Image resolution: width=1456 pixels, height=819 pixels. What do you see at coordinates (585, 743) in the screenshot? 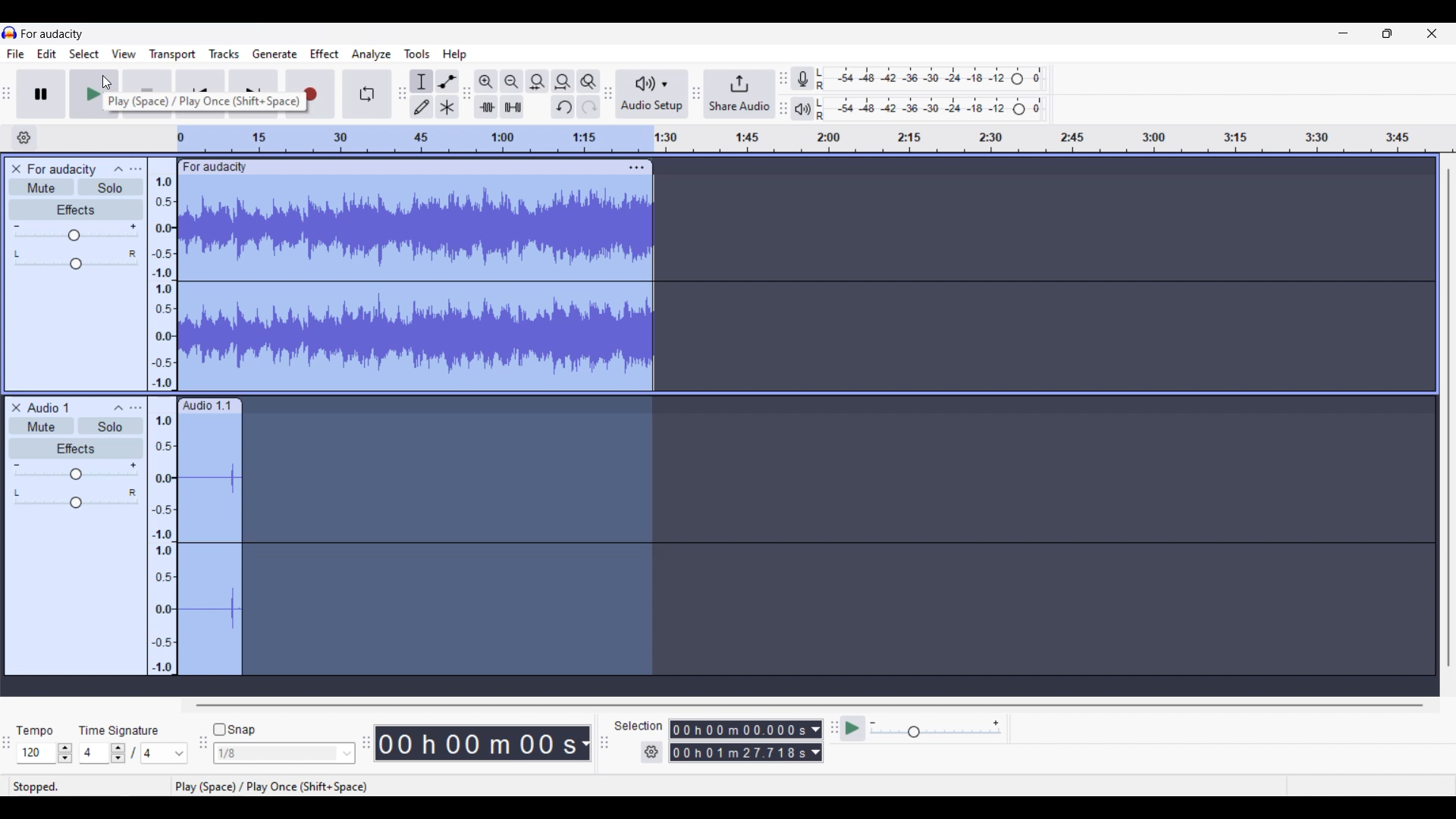
I see `Duration measurement` at bounding box center [585, 743].